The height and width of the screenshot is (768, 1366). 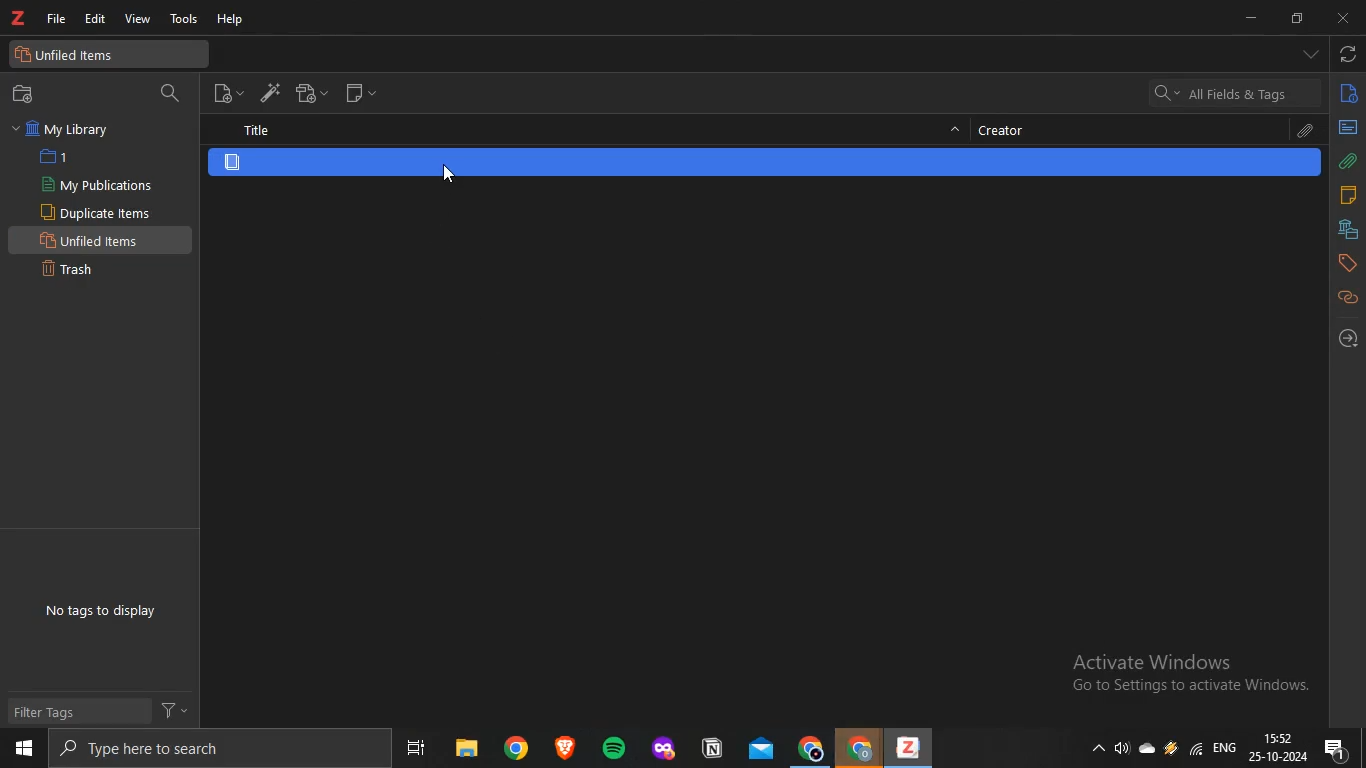 I want to click on view, so click(x=136, y=20).